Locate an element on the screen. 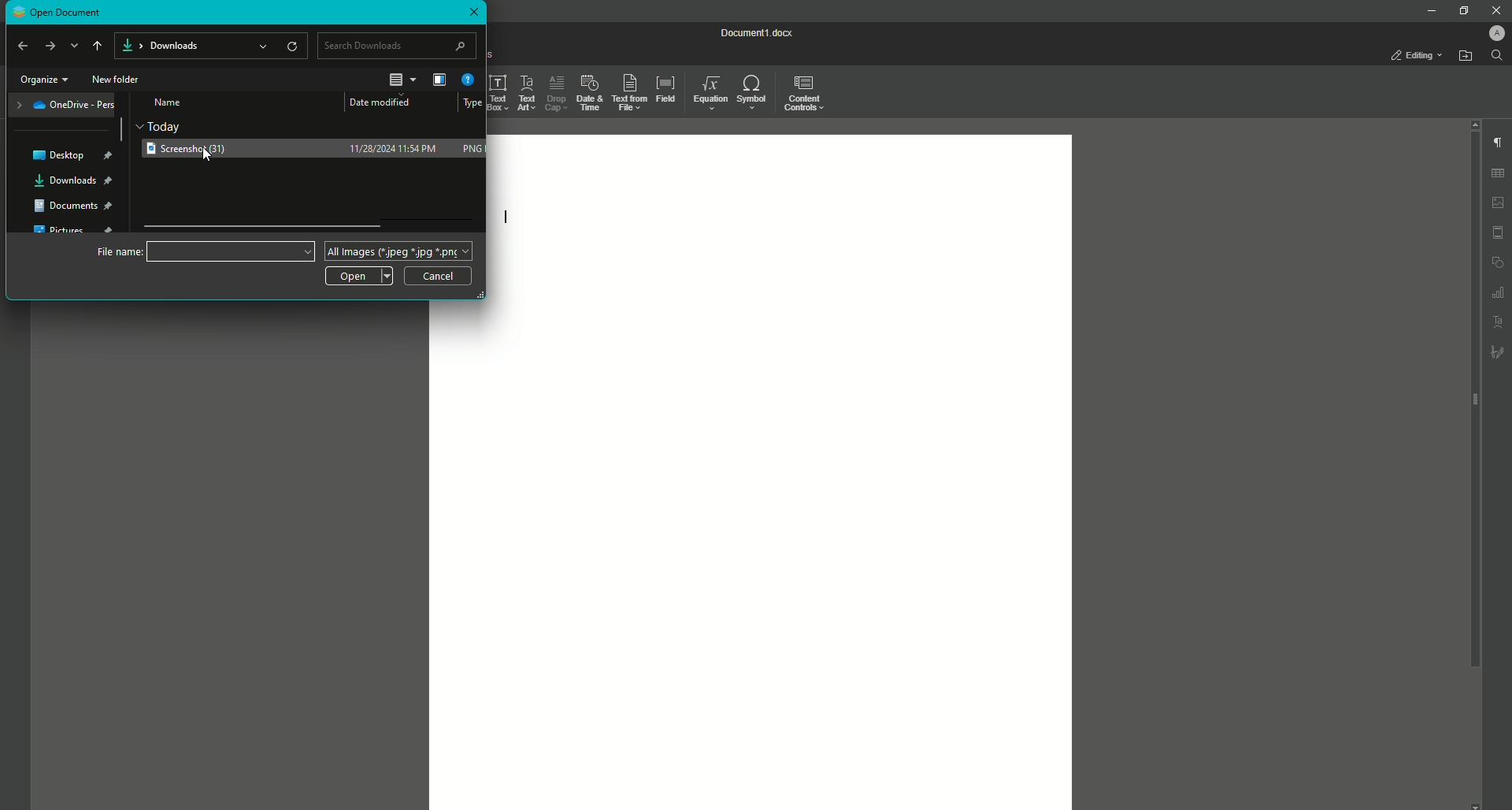 Image resolution: width=1512 pixels, height=810 pixels. Content Controls is located at coordinates (808, 96).